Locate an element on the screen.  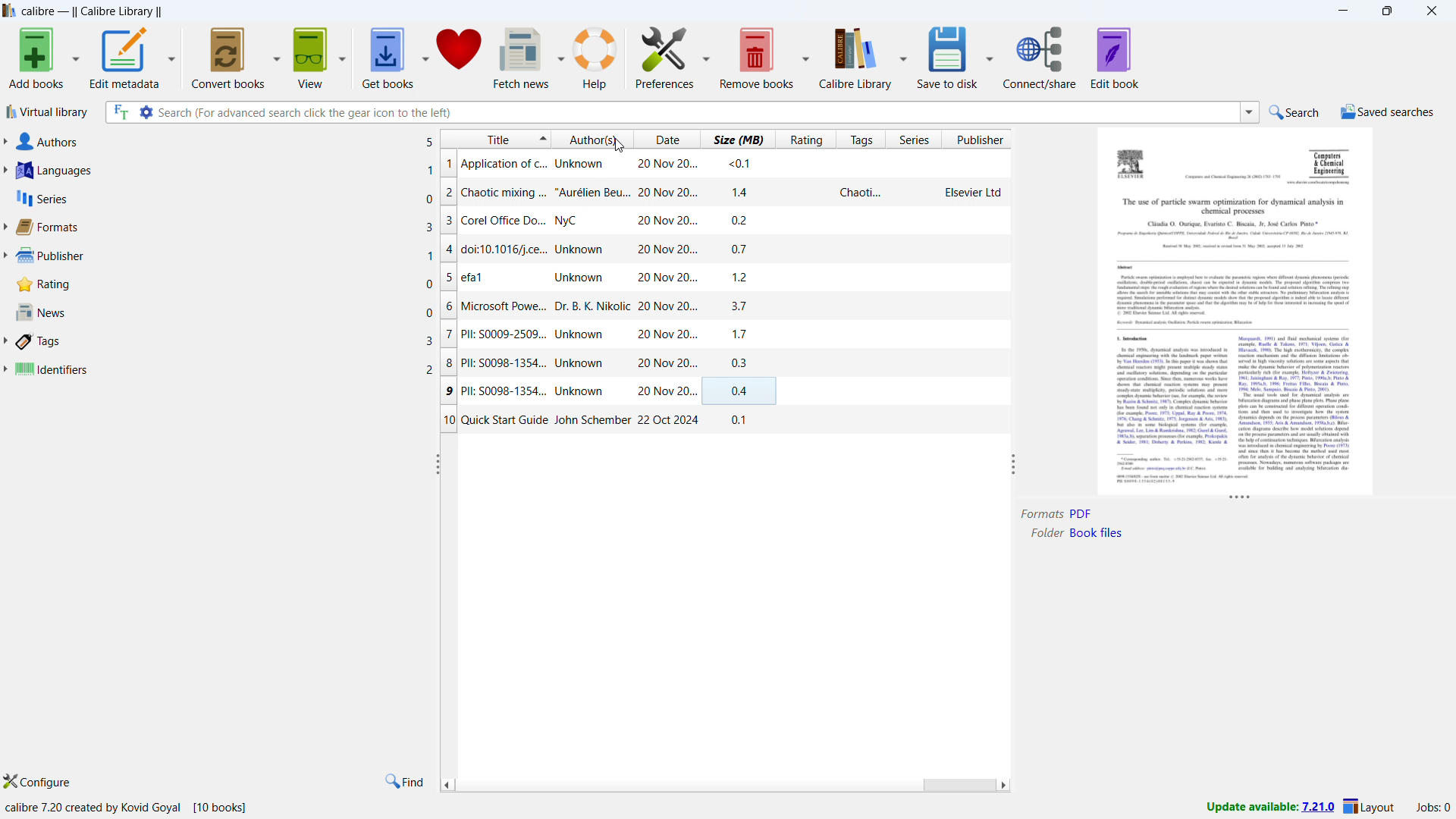
layout is located at coordinates (1369, 805).